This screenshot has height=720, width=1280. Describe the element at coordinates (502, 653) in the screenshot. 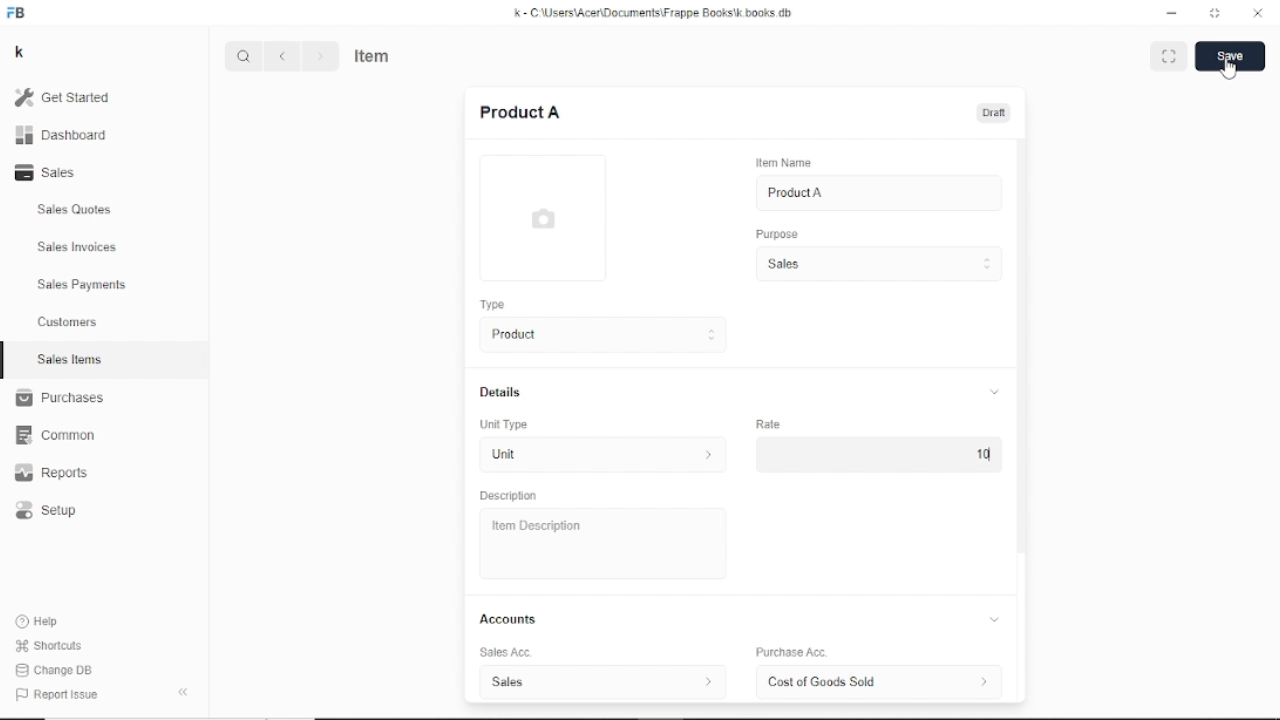

I see `Sales Acc.` at that location.